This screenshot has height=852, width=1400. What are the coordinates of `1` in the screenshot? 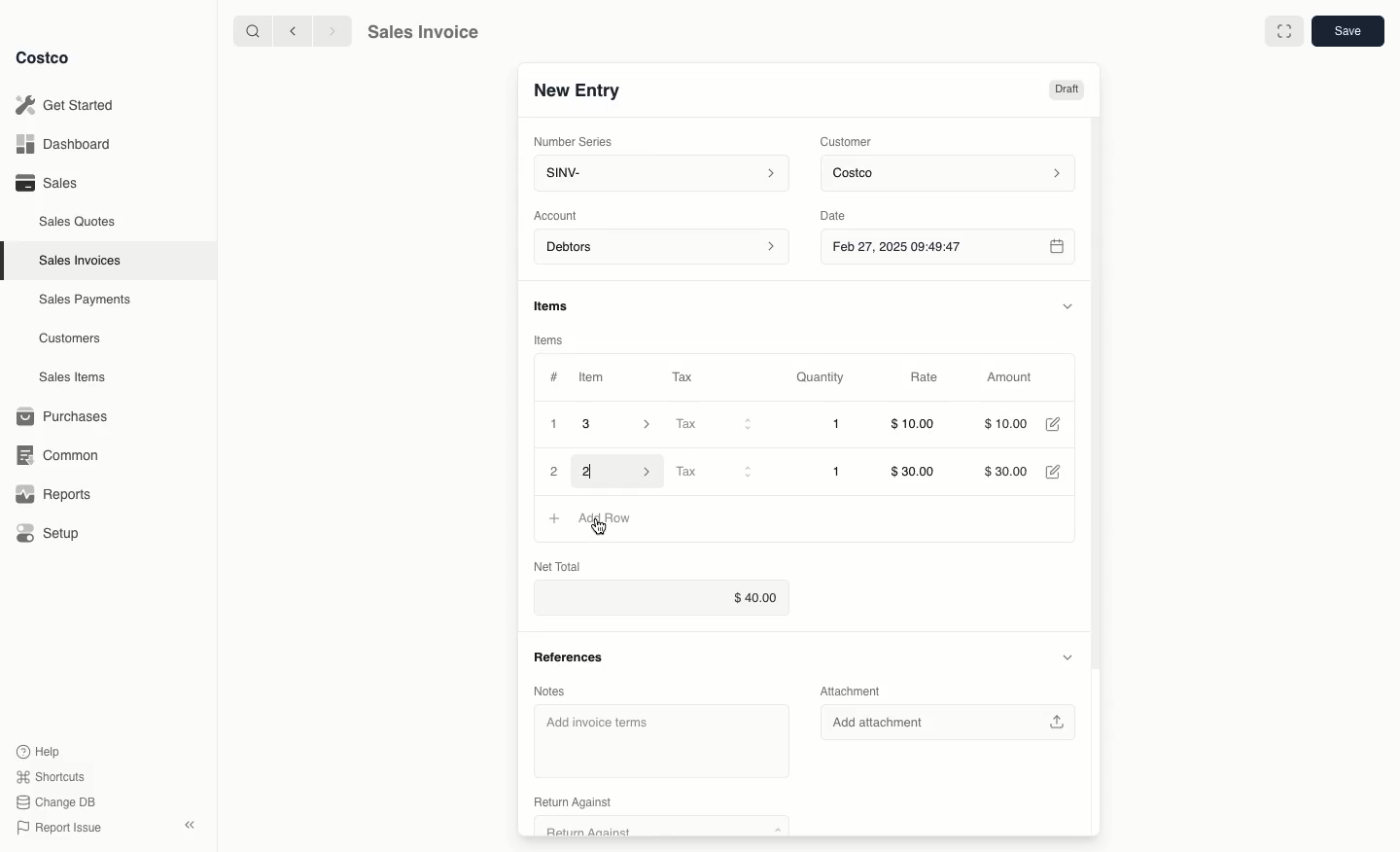 It's located at (838, 472).